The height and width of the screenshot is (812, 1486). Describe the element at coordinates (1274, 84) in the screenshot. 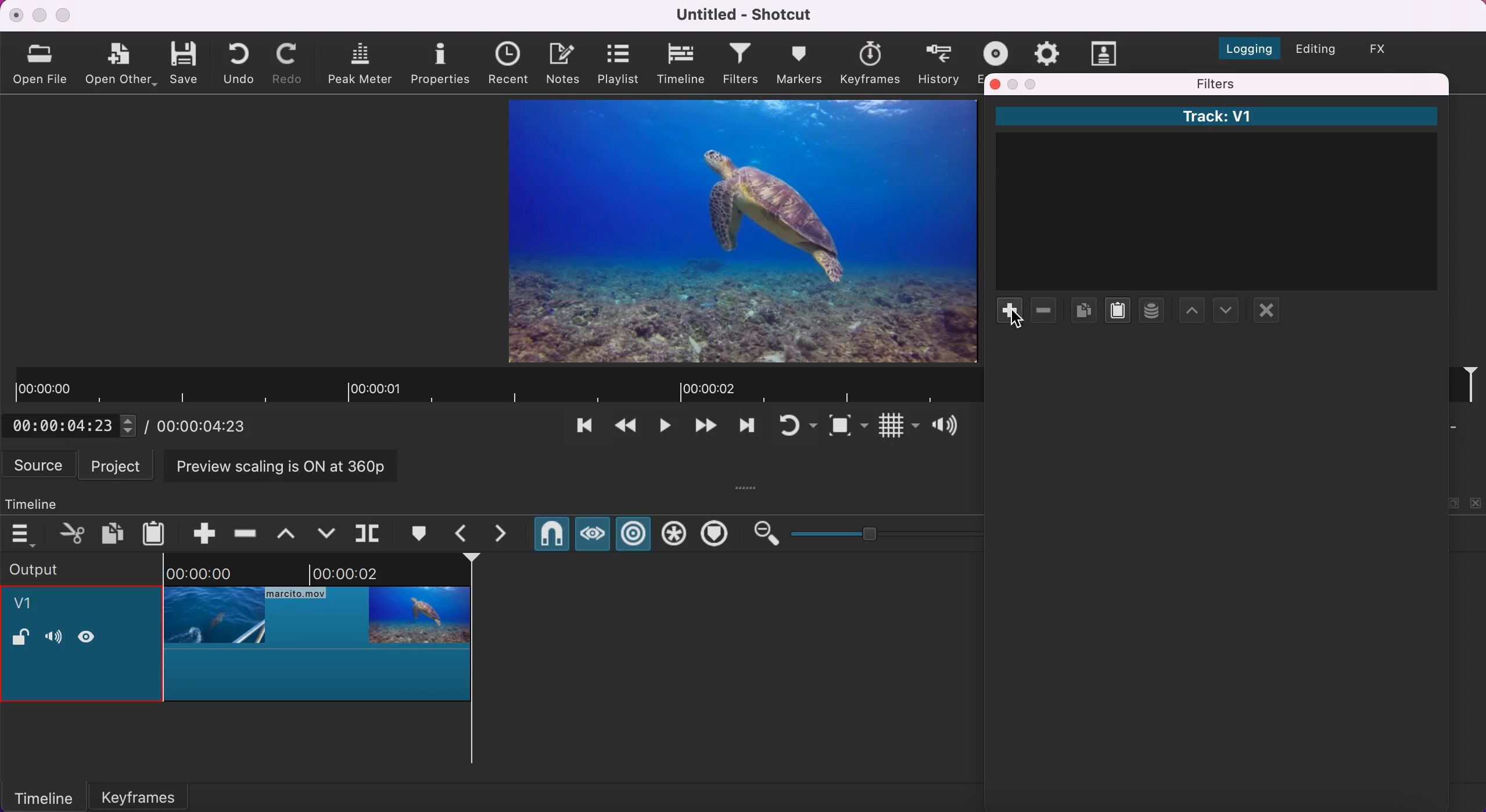

I see `filters` at that location.